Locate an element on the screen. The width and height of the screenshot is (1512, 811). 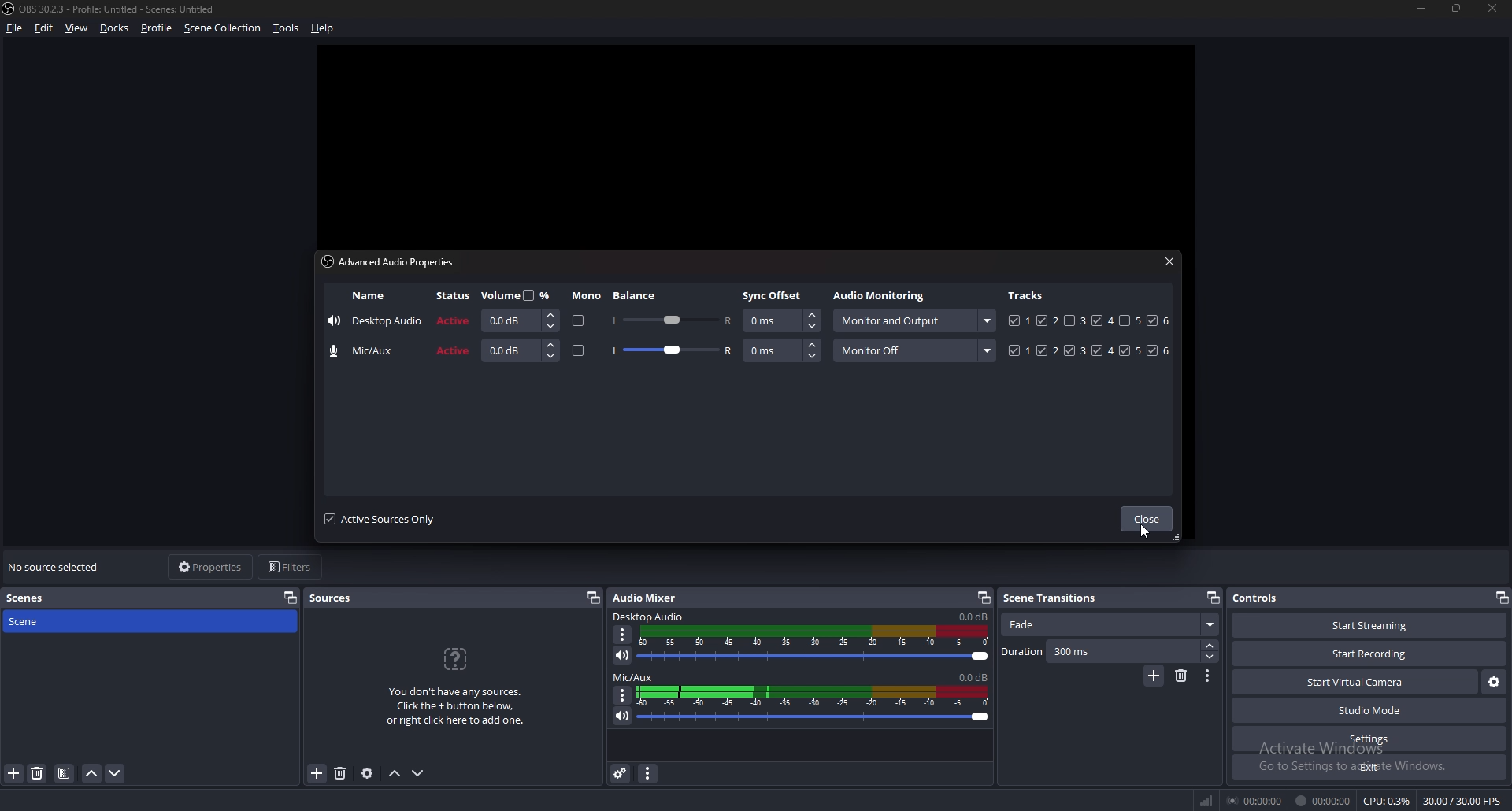
mic/aux sound is located at coordinates (971, 676).